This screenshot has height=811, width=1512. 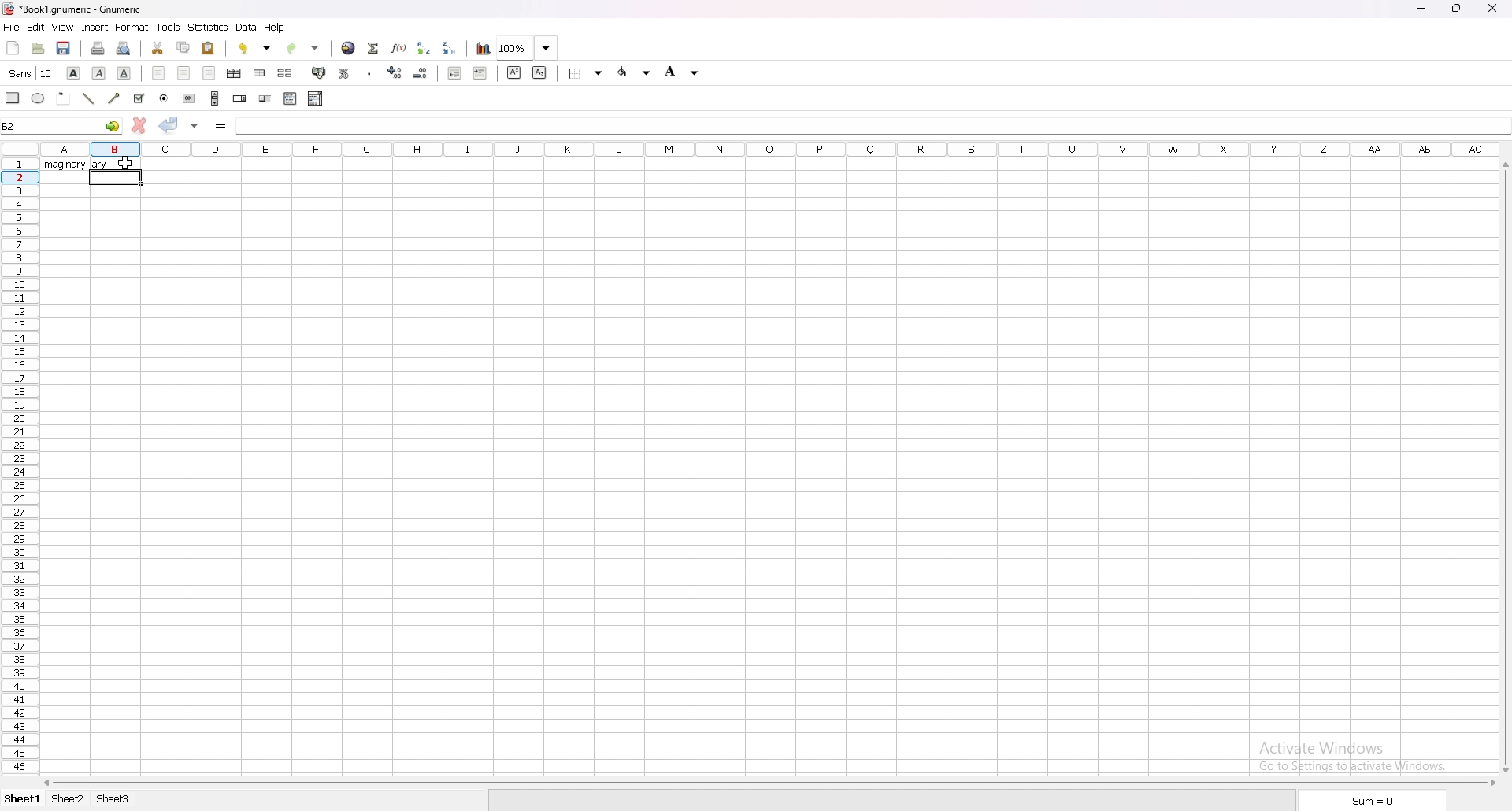 What do you see at coordinates (260, 72) in the screenshot?
I see `merge cells` at bounding box center [260, 72].